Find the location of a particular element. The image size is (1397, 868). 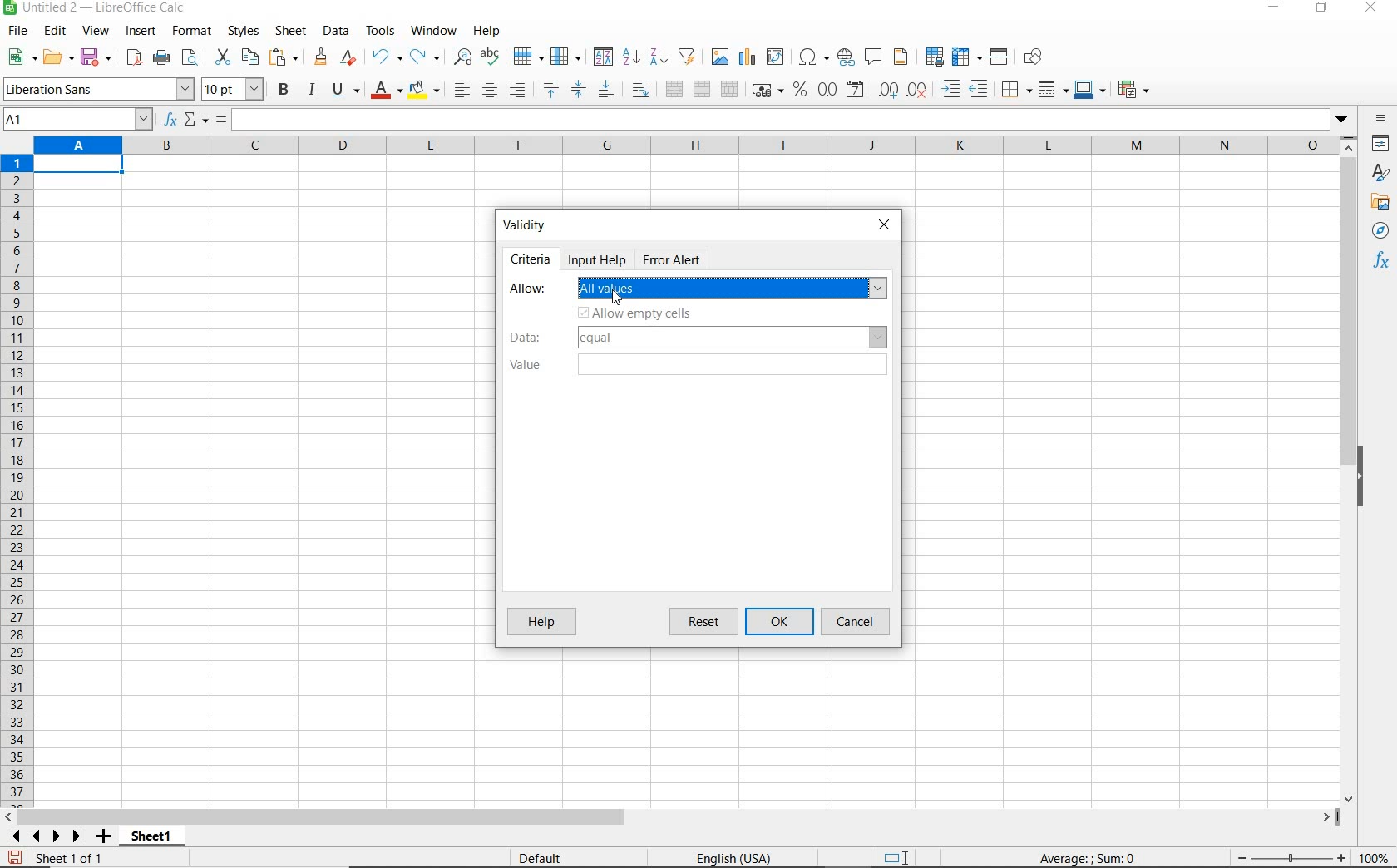

ok is located at coordinates (783, 622).